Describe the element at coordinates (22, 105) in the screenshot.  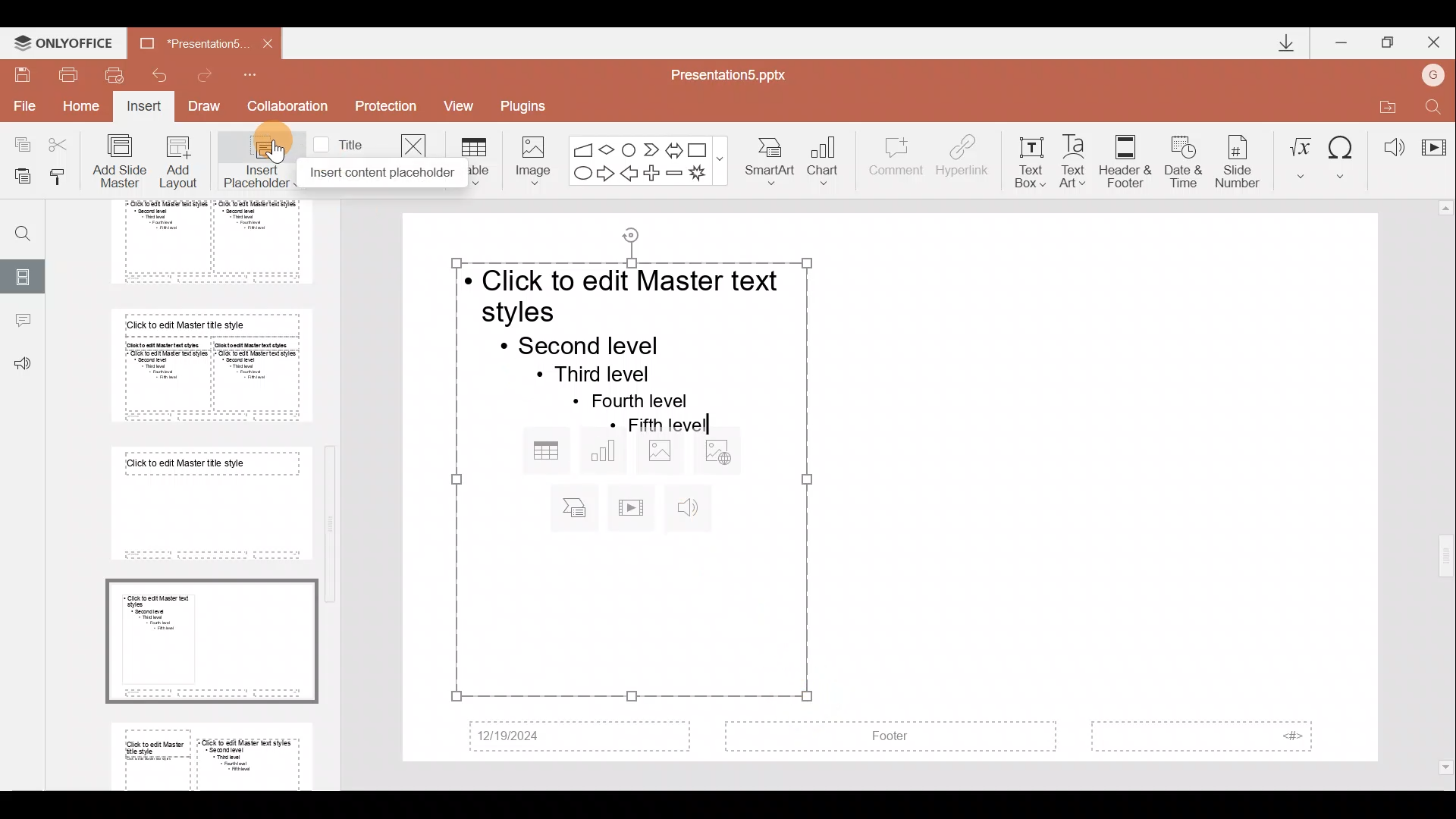
I see `File` at that location.